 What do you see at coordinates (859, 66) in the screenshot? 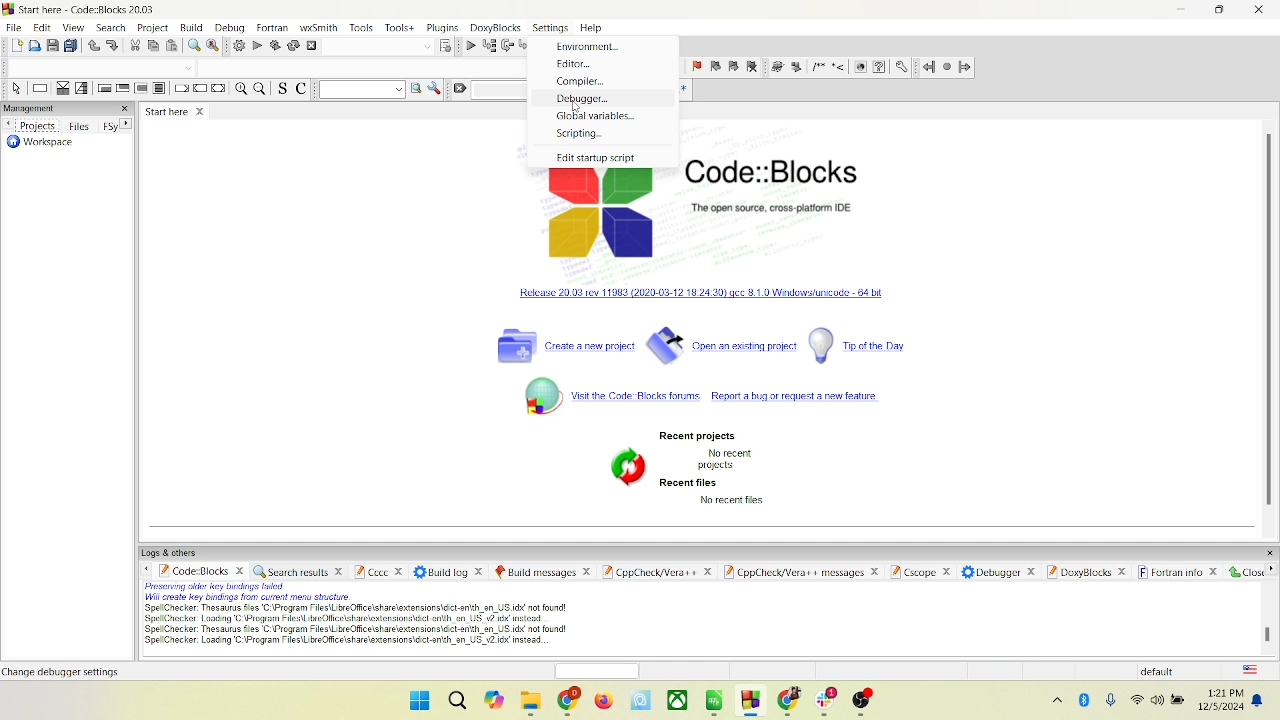
I see `web` at bounding box center [859, 66].